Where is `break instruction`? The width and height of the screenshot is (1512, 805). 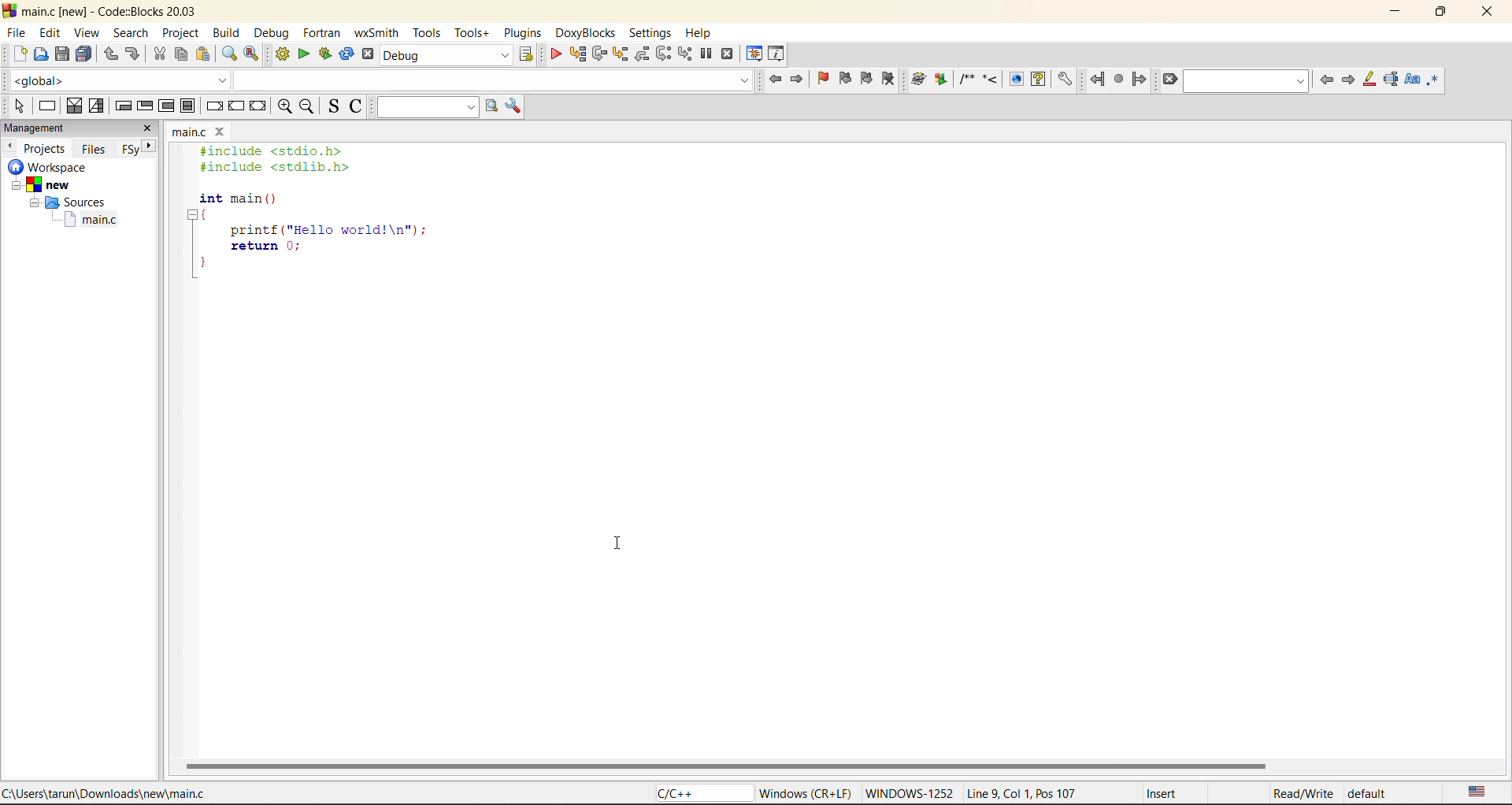
break instruction is located at coordinates (213, 107).